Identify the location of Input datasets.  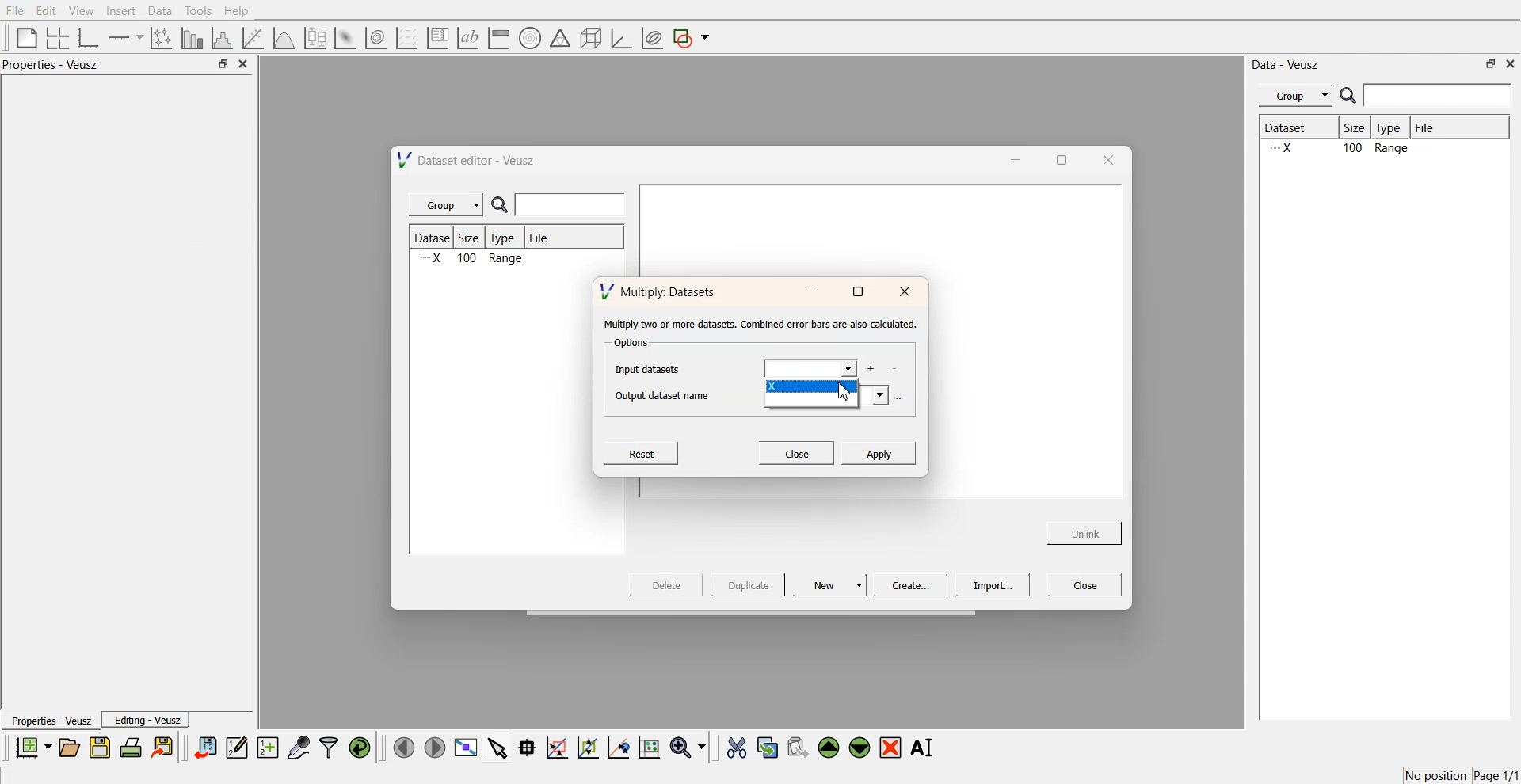
(651, 368).